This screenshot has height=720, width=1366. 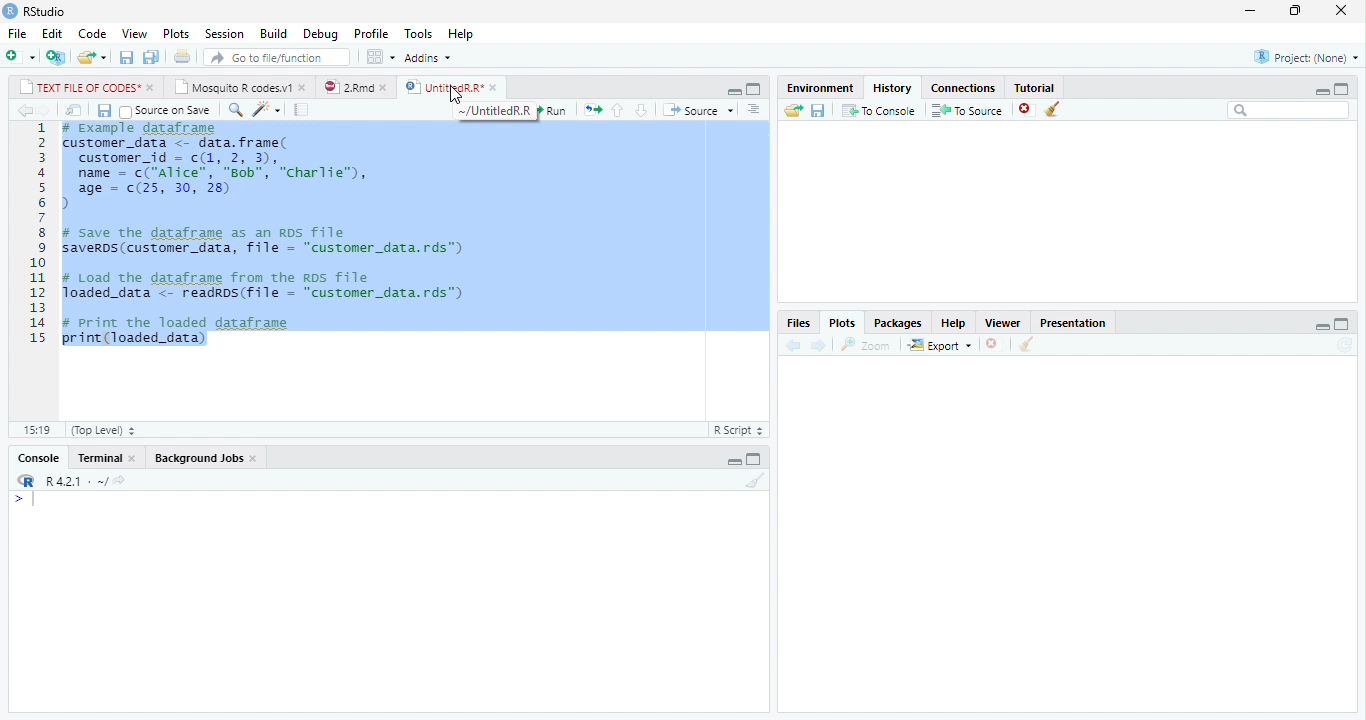 I want to click on forward, so click(x=46, y=111).